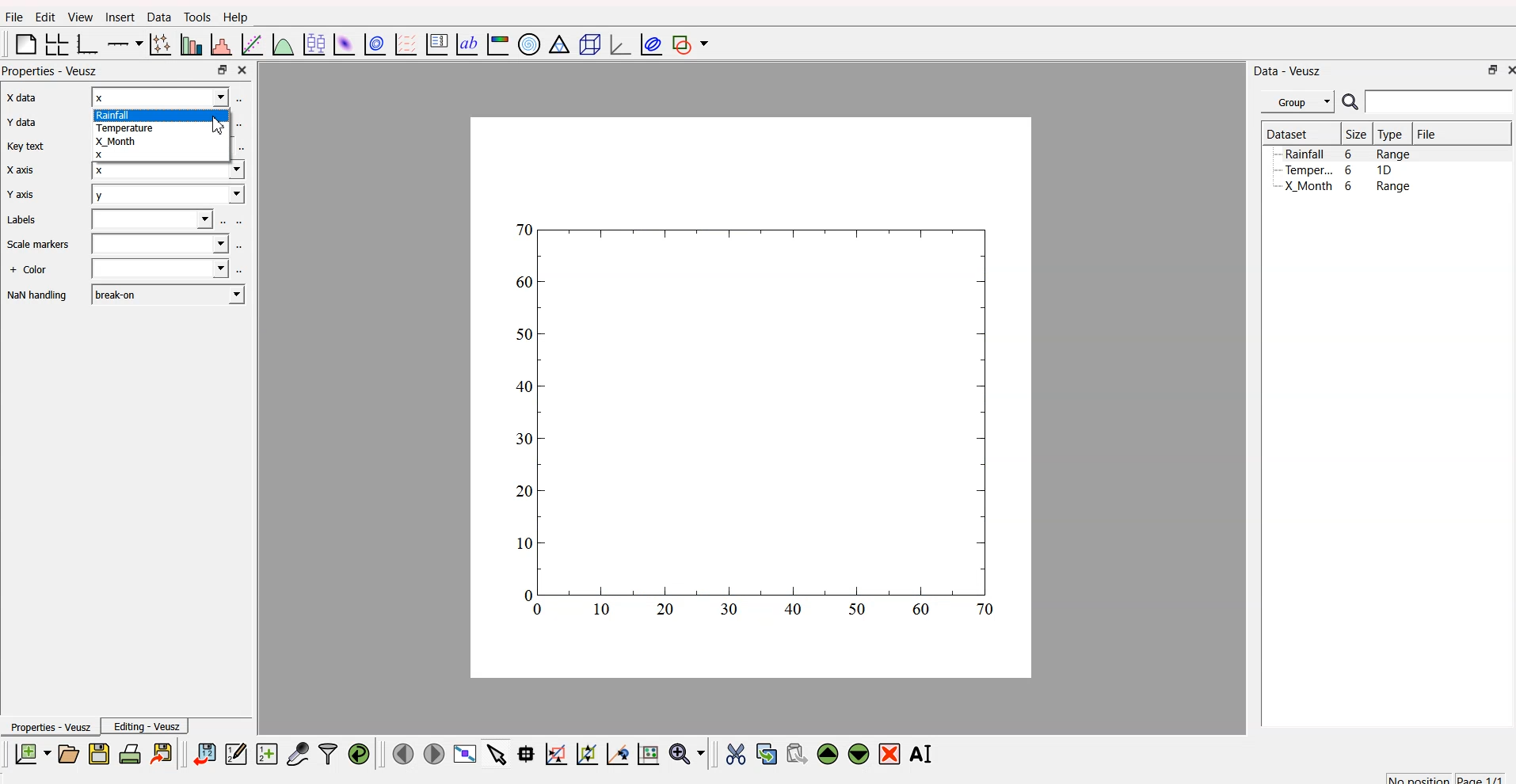 The image size is (1516, 784). I want to click on search bar, so click(1442, 104).